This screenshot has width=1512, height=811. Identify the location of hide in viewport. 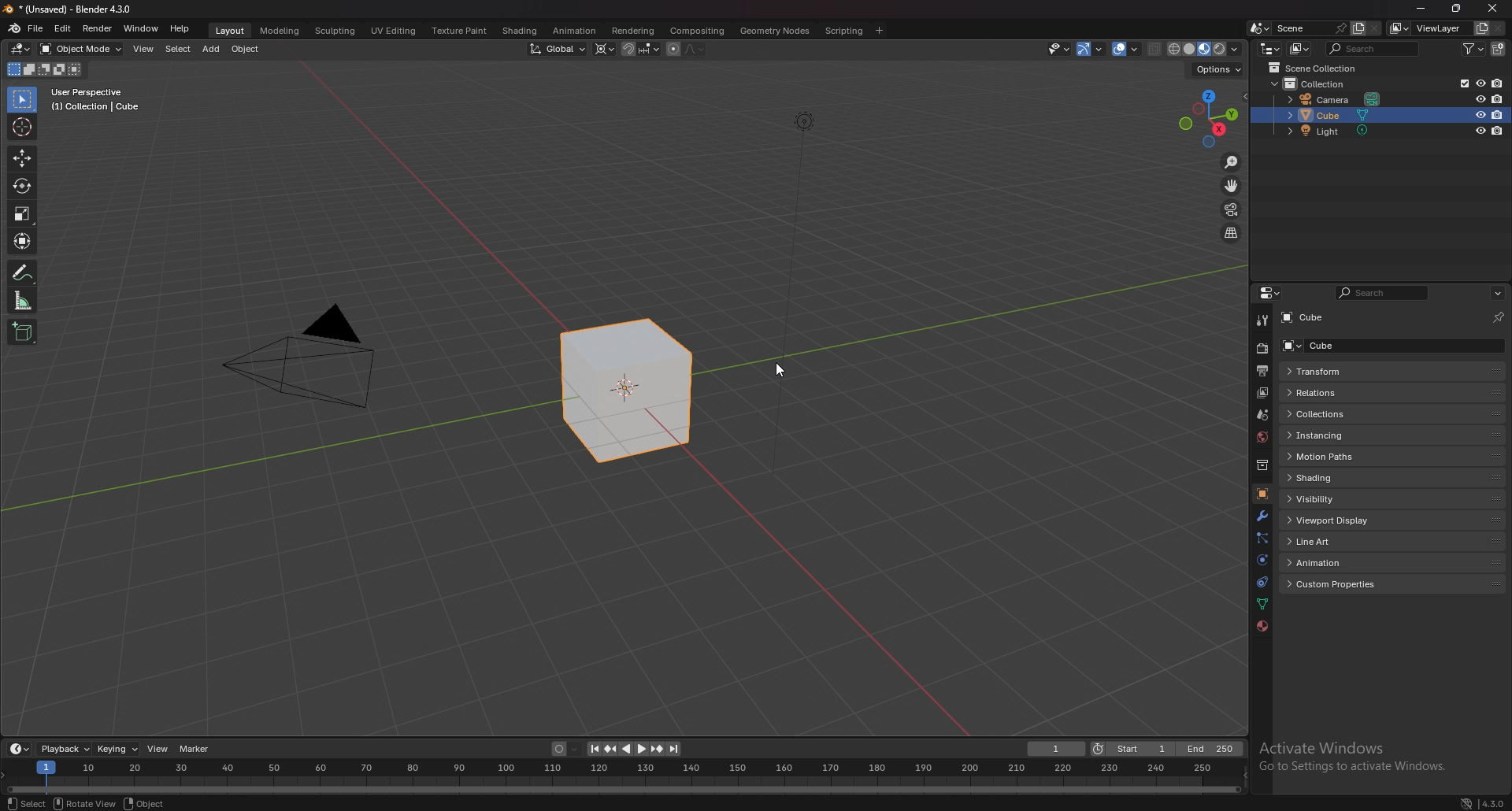
(1478, 100).